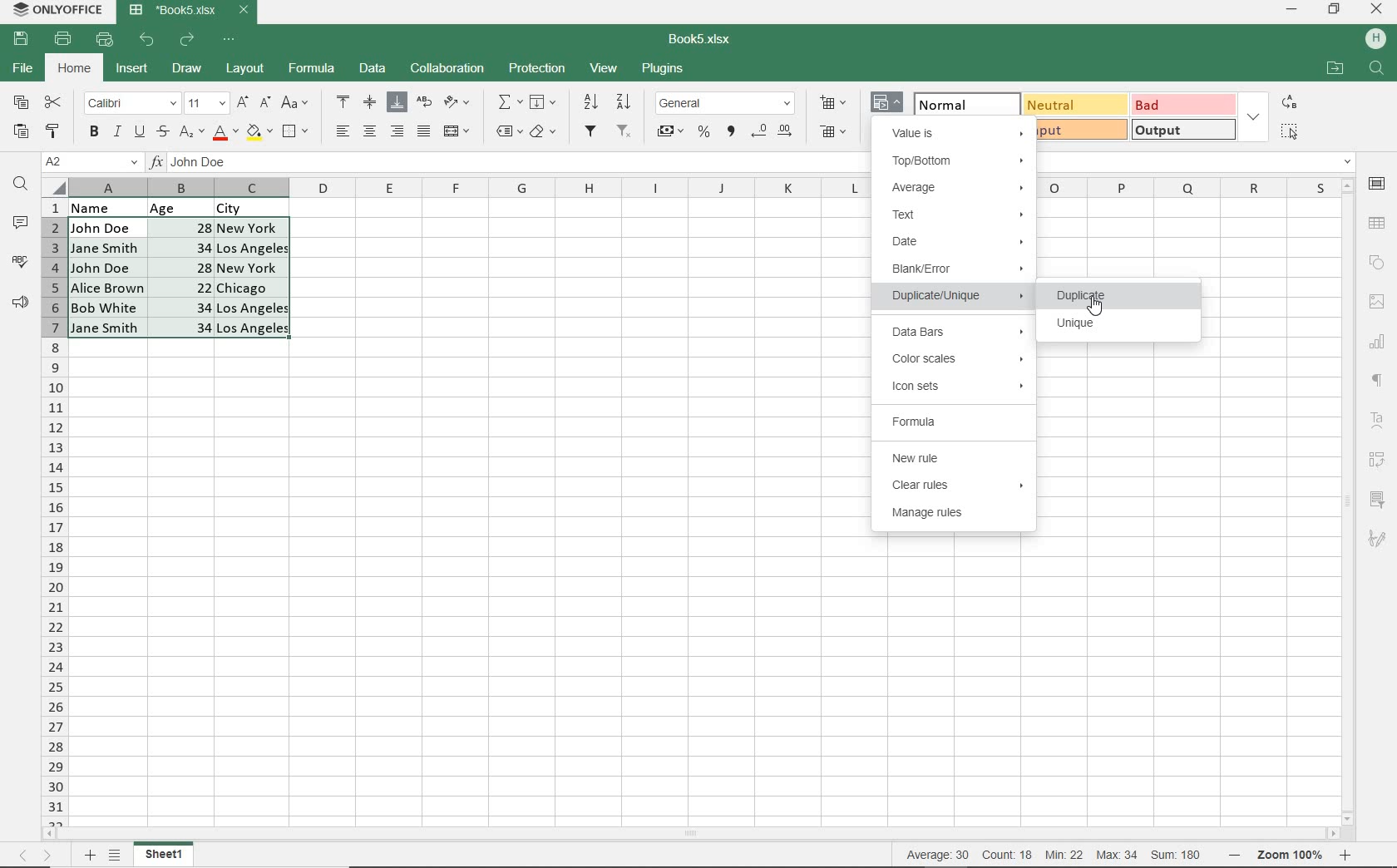  Describe the element at coordinates (397, 131) in the screenshot. I see `ALIGN RIGHT` at that location.